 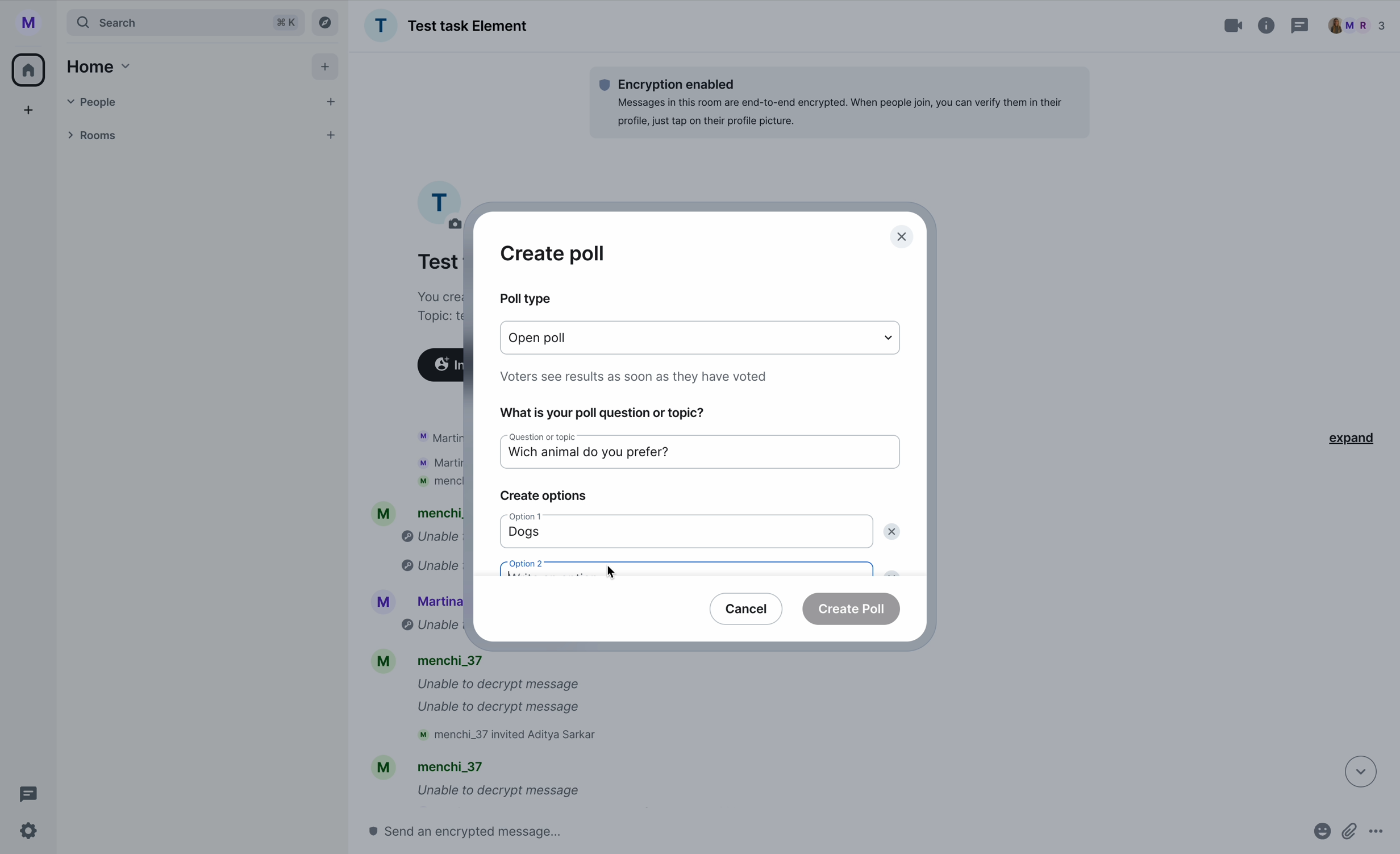 What do you see at coordinates (1351, 836) in the screenshot?
I see `attach files` at bounding box center [1351, 836].